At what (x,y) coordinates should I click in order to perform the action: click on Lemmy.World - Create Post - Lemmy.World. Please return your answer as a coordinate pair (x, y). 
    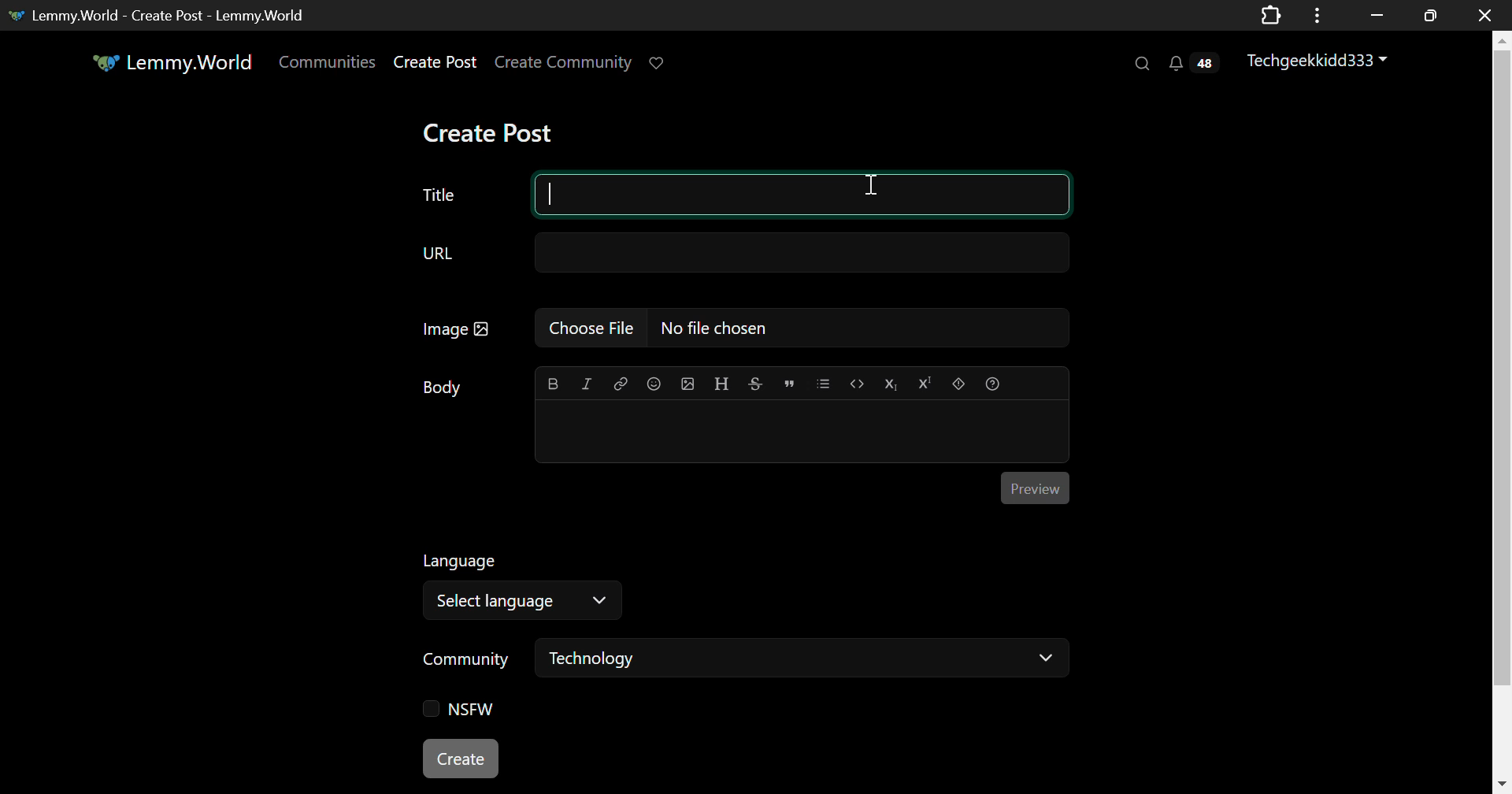
    Looking at the image, I should click on (169, 14).